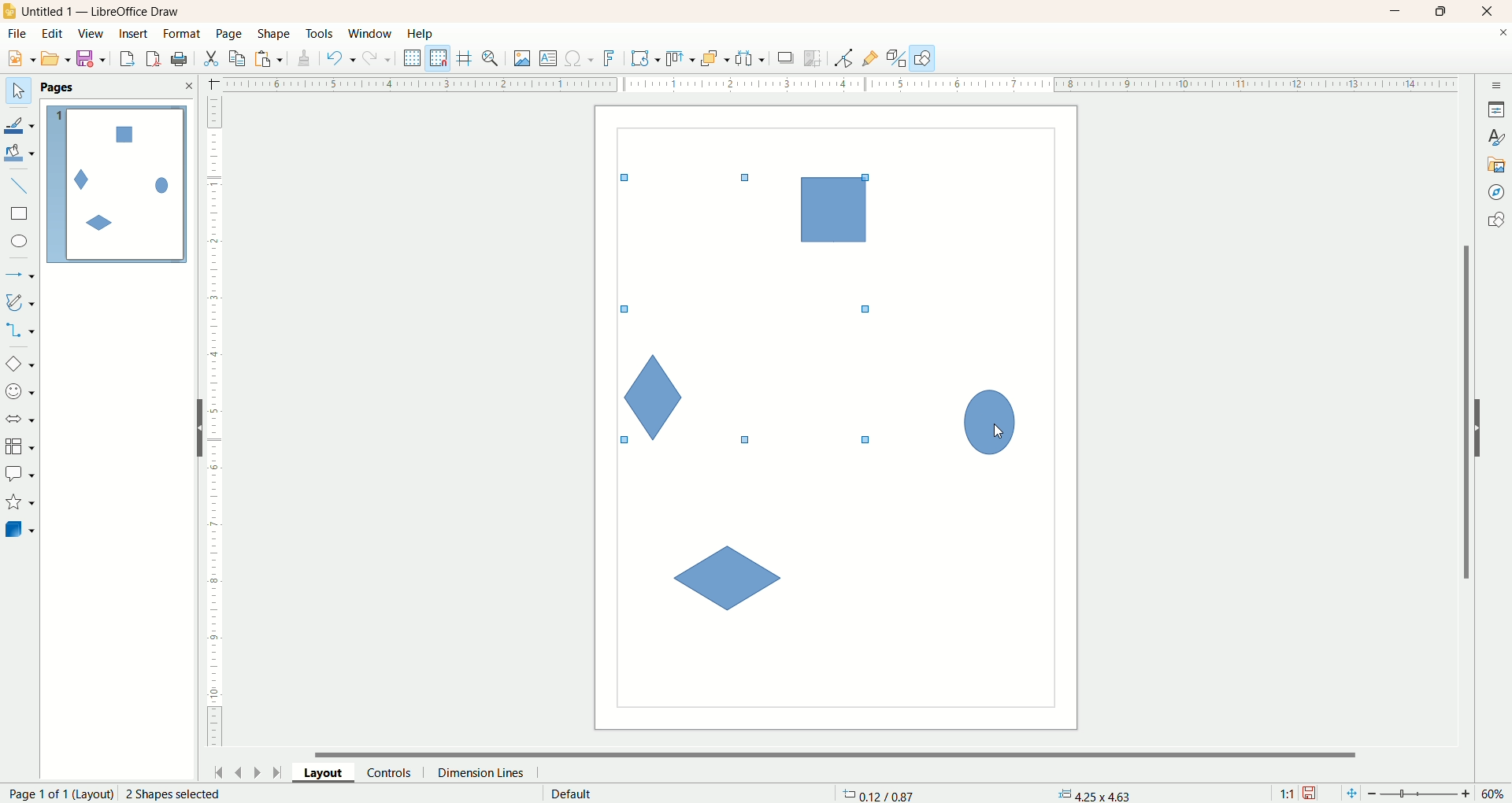  I want to click on close, so click(1503, 35).